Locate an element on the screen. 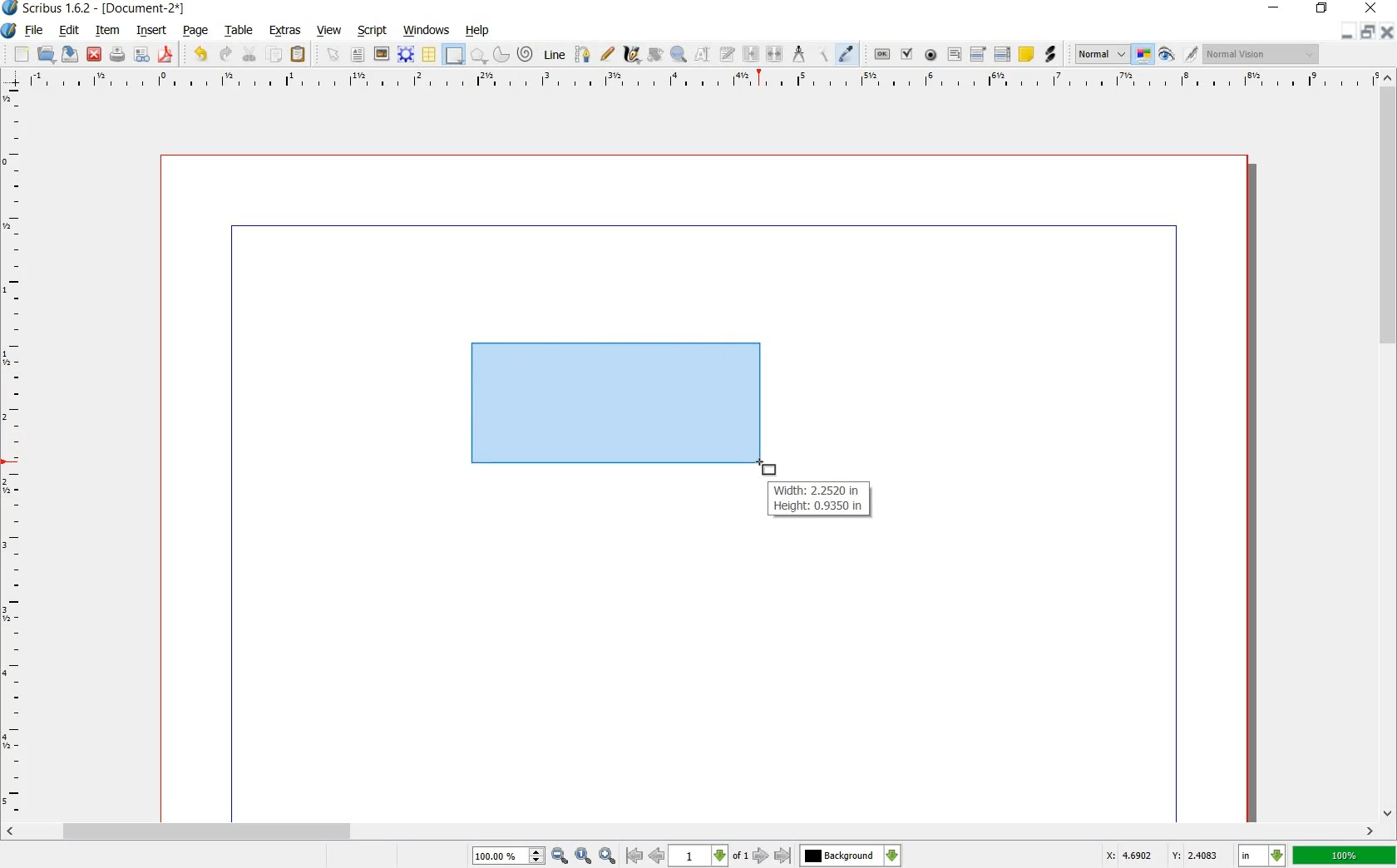 This screenshot has width=1397, height=868. PRFELIGHT VERIFIER is located at coordinates (141, 56).